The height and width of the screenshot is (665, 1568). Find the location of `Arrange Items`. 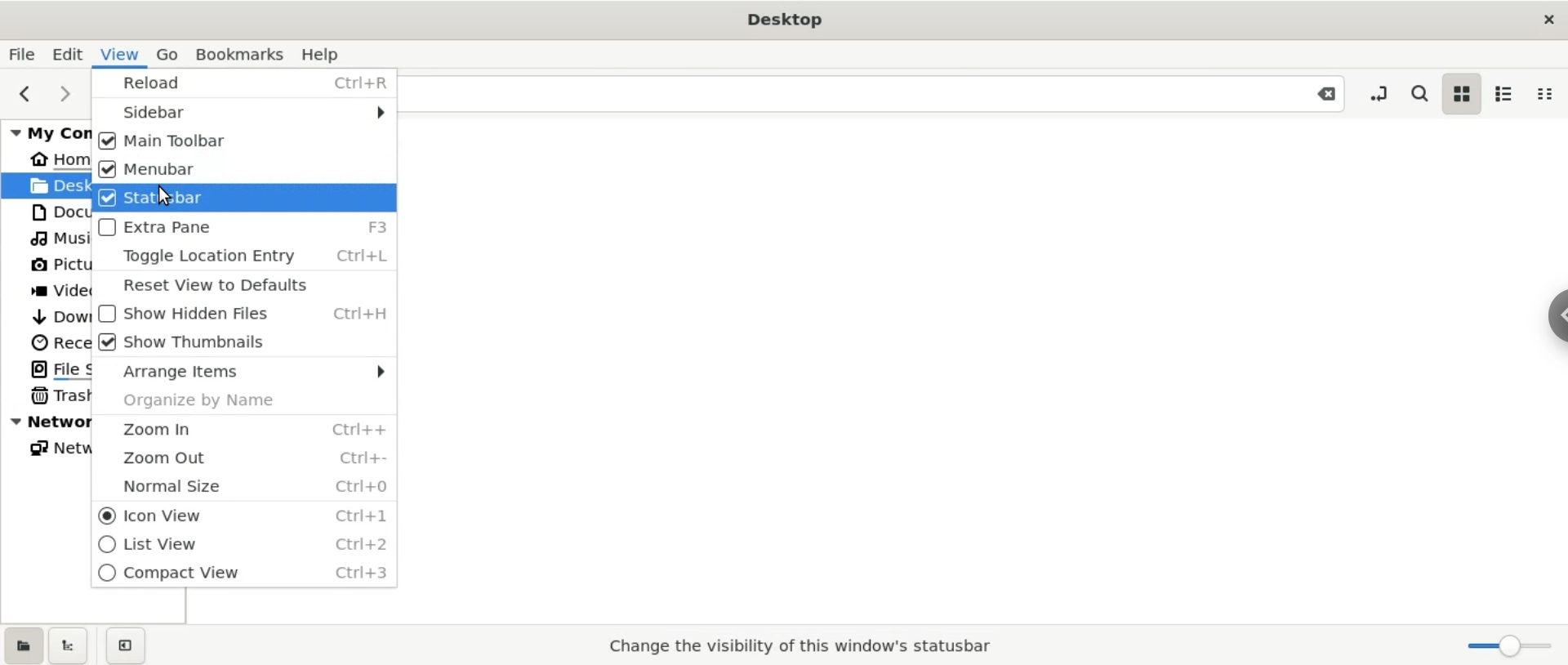

Arrange Items is located at coordinates (242, 374).